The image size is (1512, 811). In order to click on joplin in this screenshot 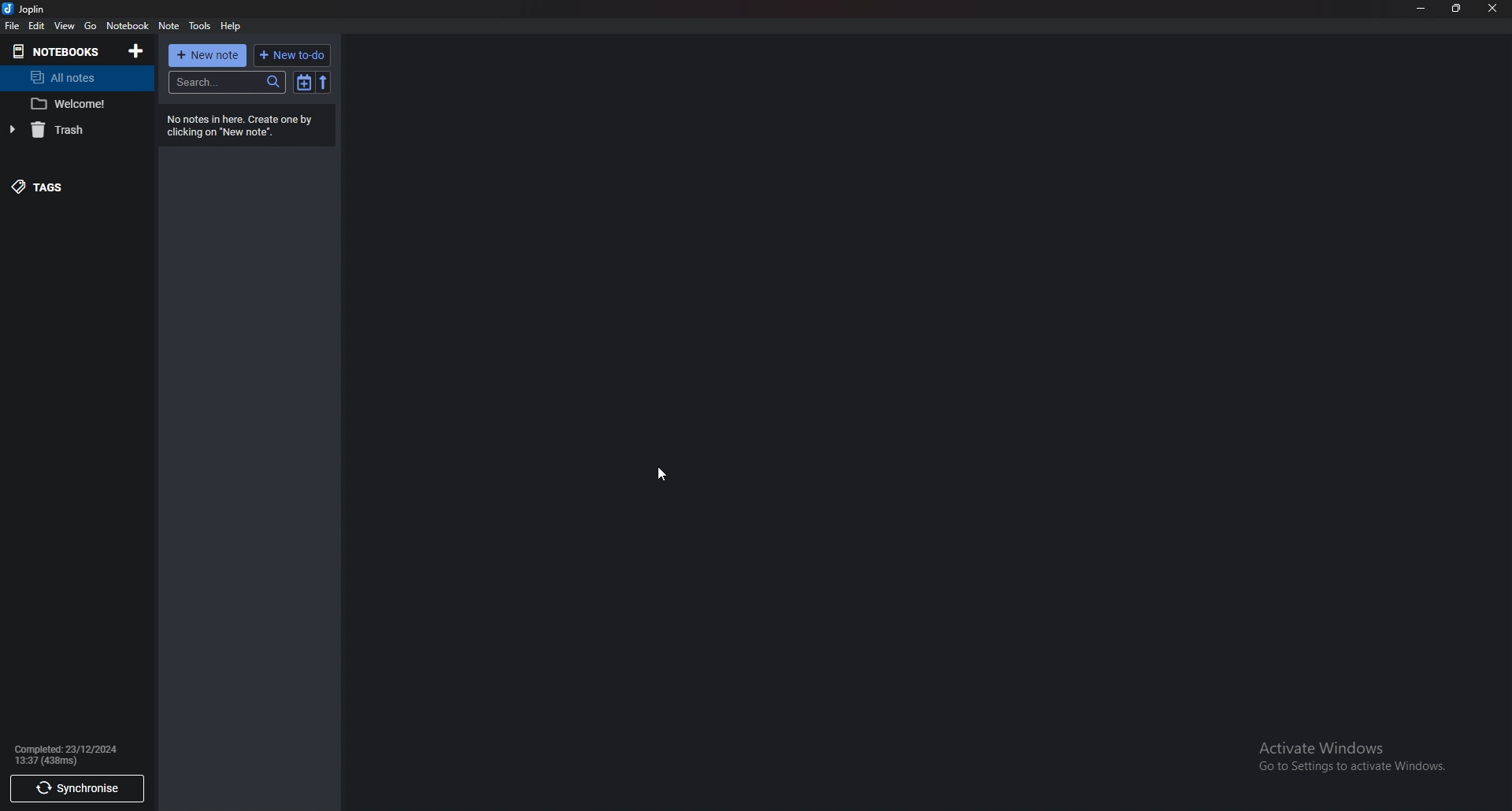, I will do `click(28, 9)`.